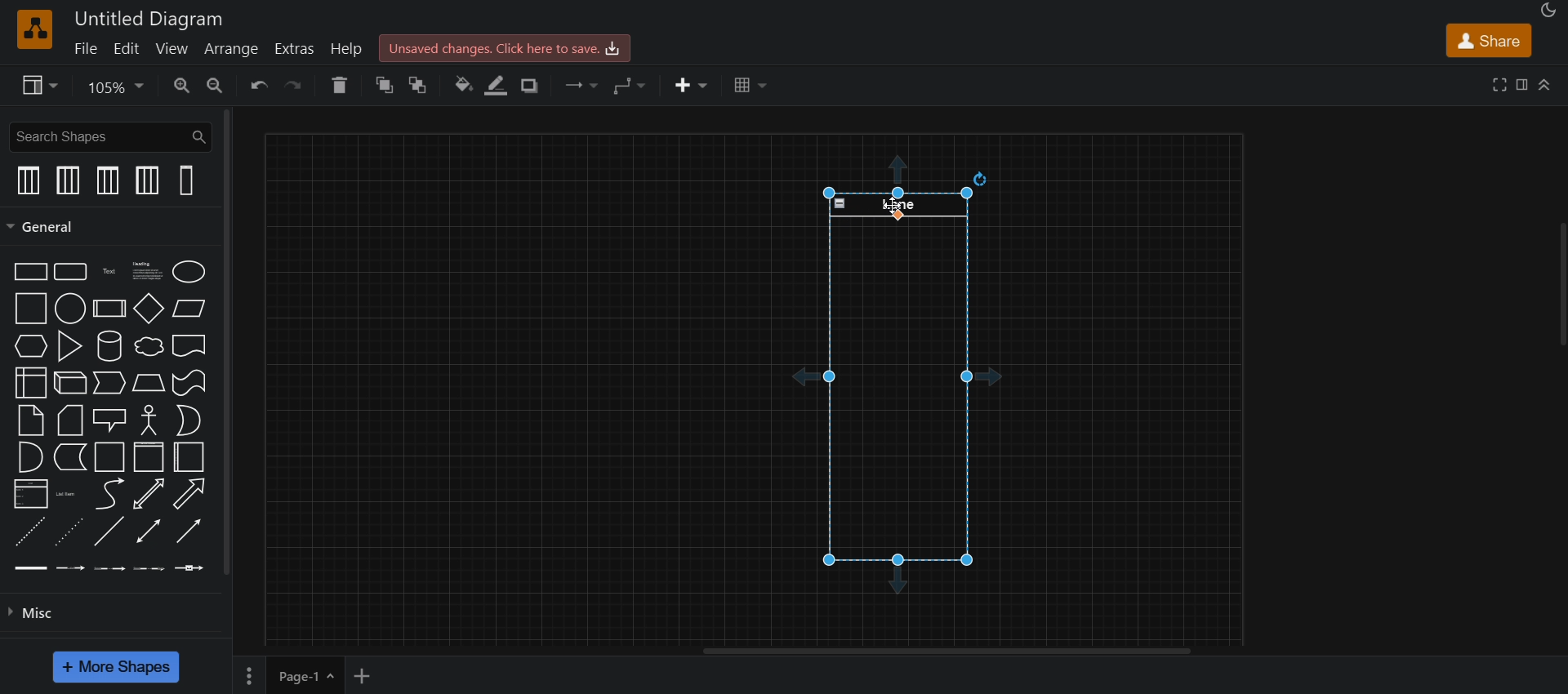  Describe the element at coordinates (30, 456) in the screenshot. I see `and` at that location.